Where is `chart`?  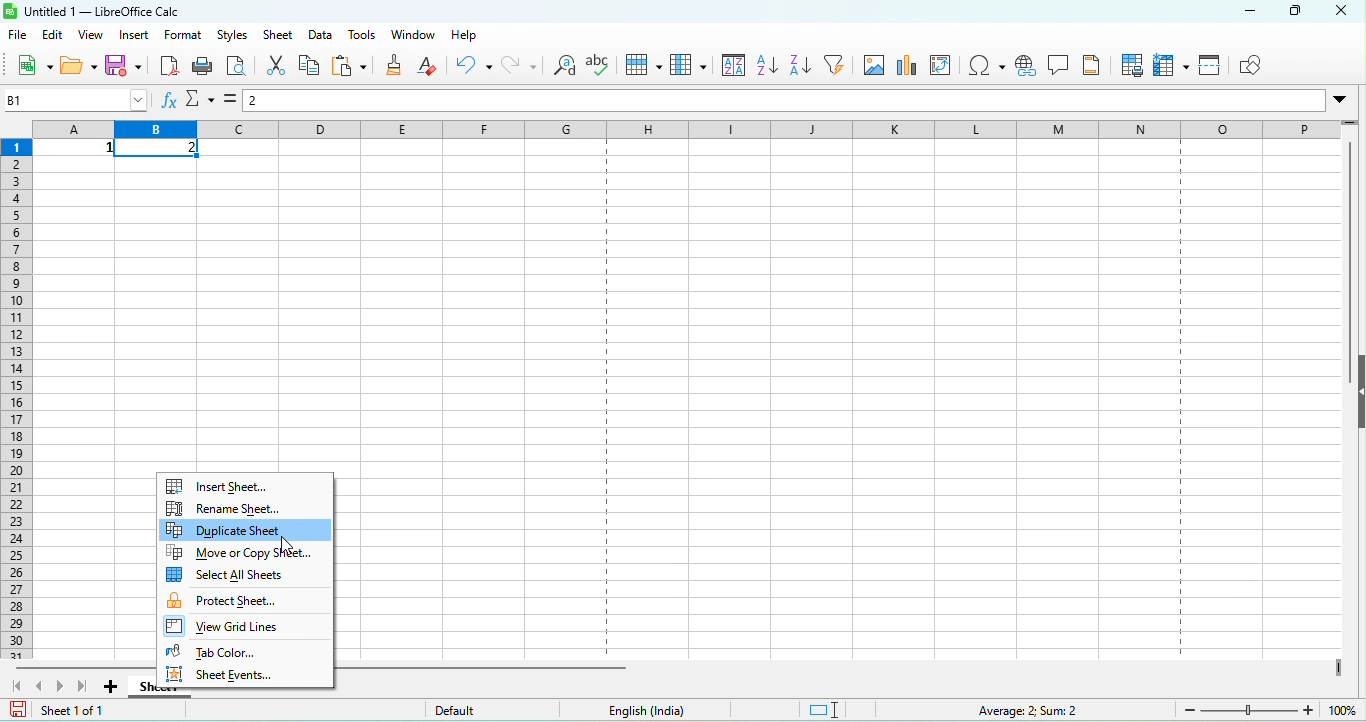
chart is located at coordinates (908, 68).